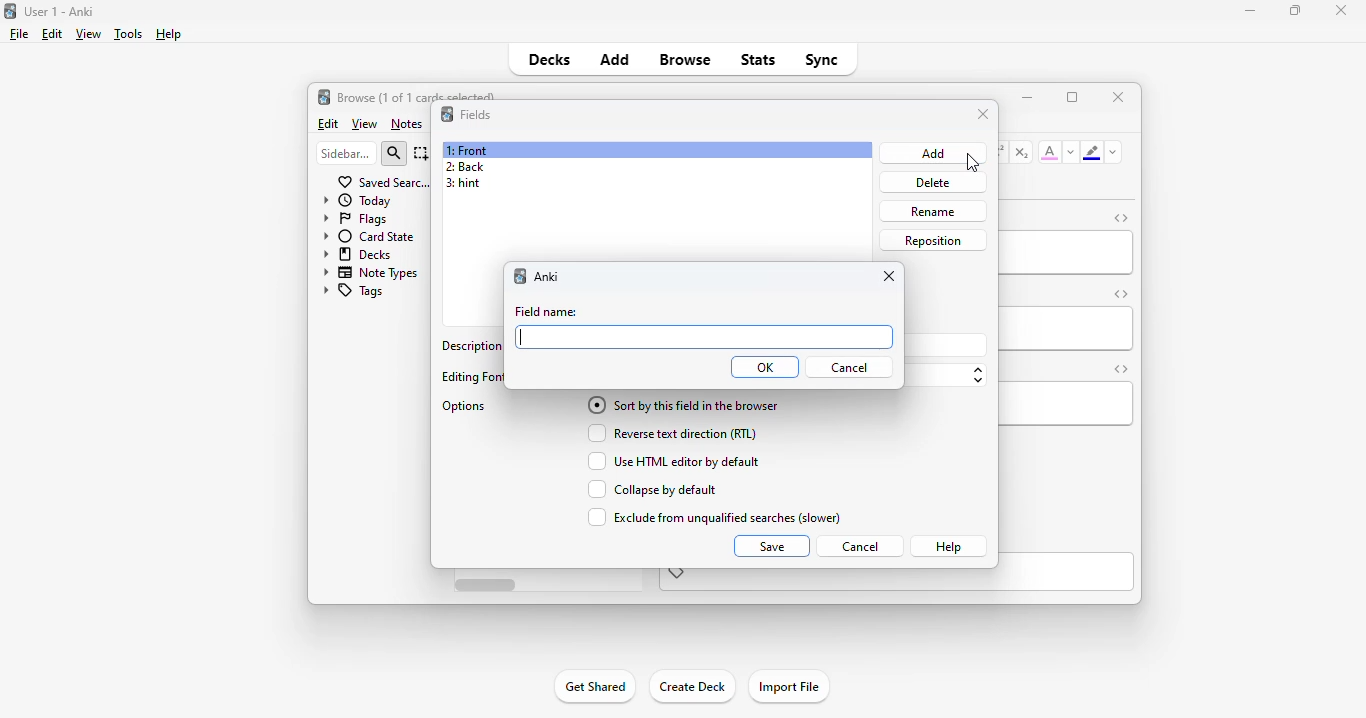 This screenshot has height=718, width=1366. Describe the element at coordinates (52, 34) in the screenshot. I see `edit` at that location.